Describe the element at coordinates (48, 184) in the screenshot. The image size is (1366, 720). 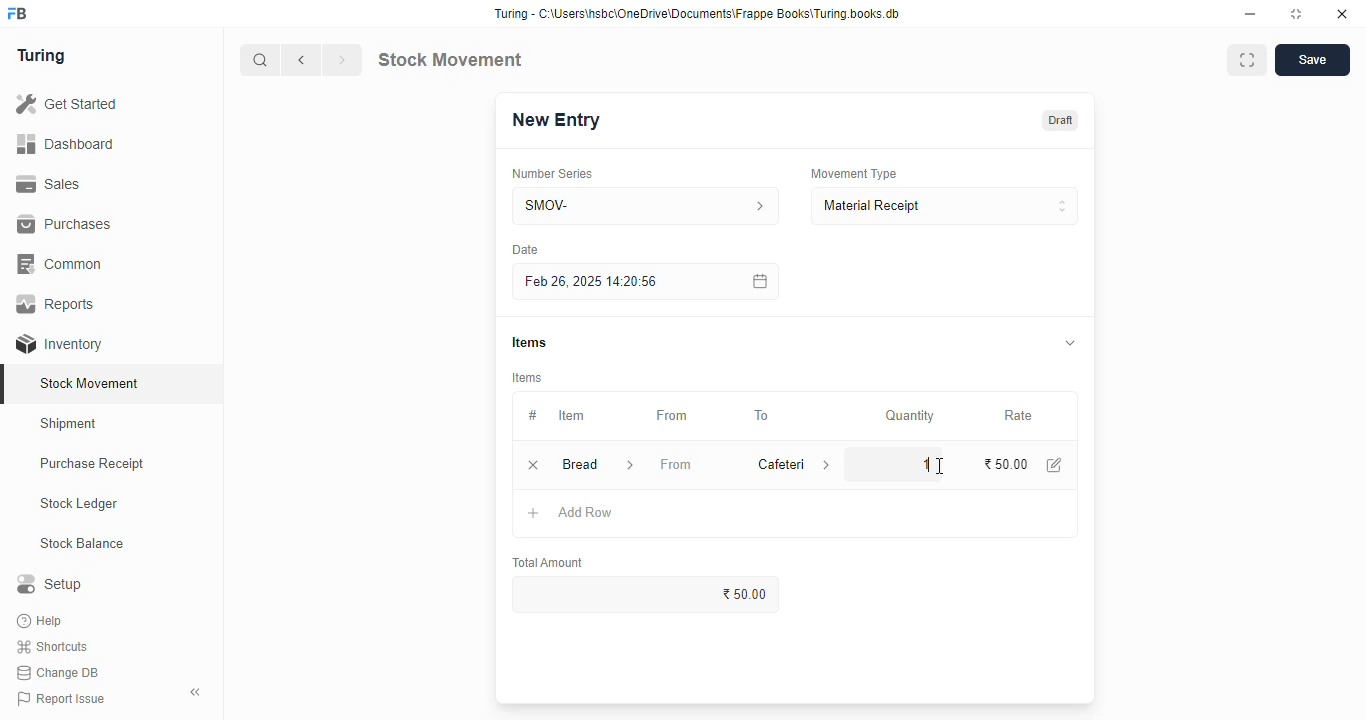
I see `sales` at that location.